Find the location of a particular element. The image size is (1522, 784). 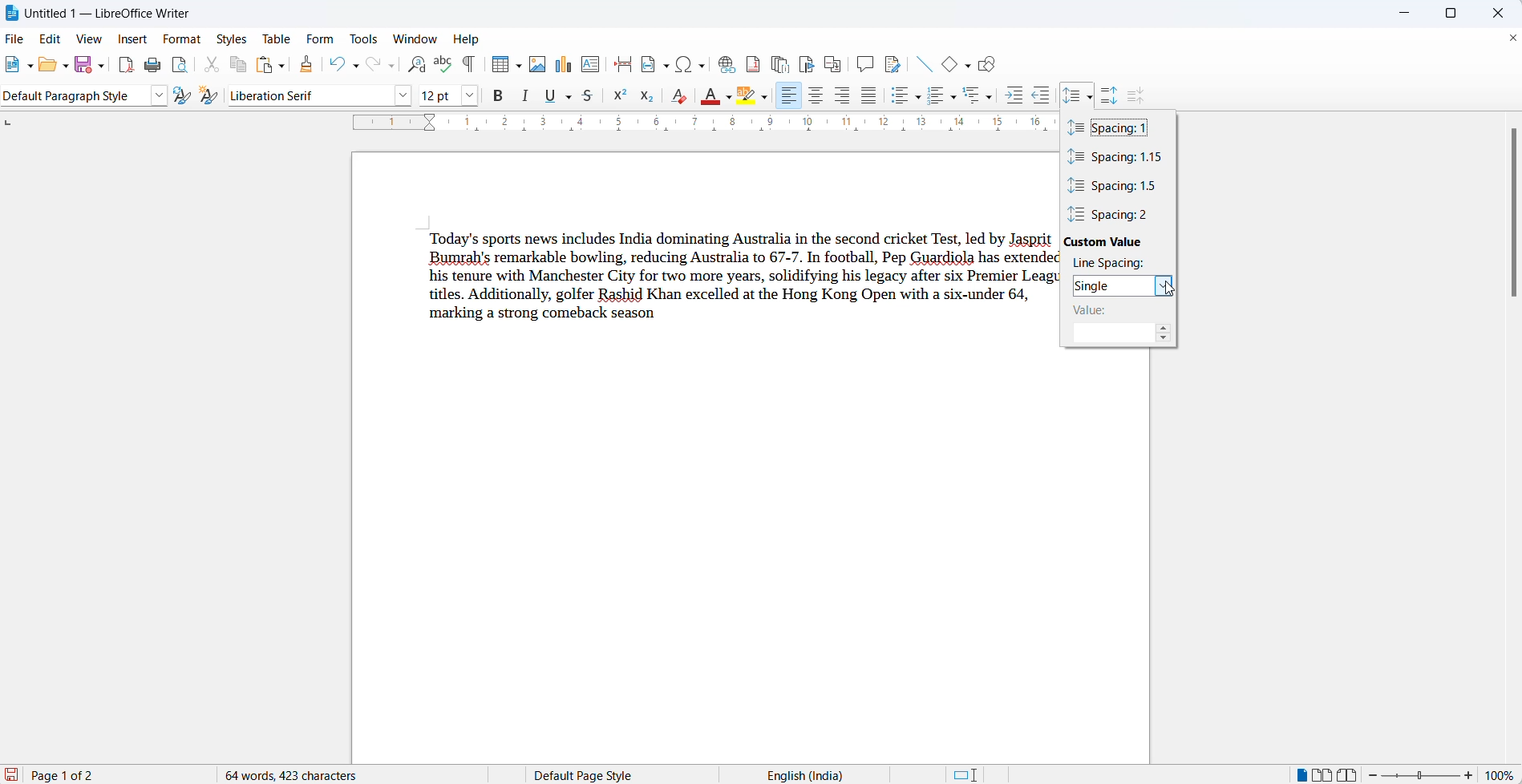

maximize is located at coordinates (1456, 14).